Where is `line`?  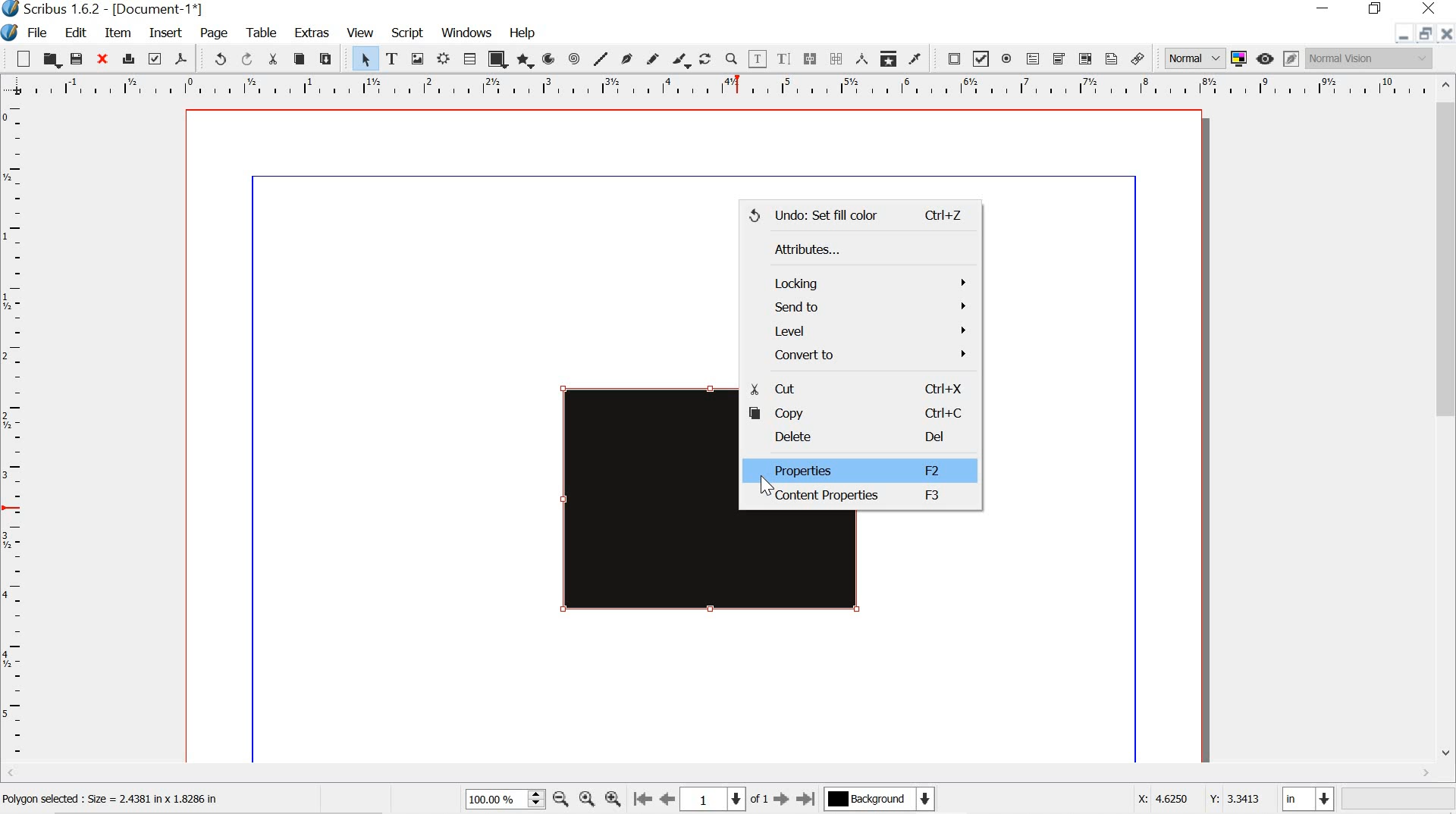 line is located at coordinates (601, 58).